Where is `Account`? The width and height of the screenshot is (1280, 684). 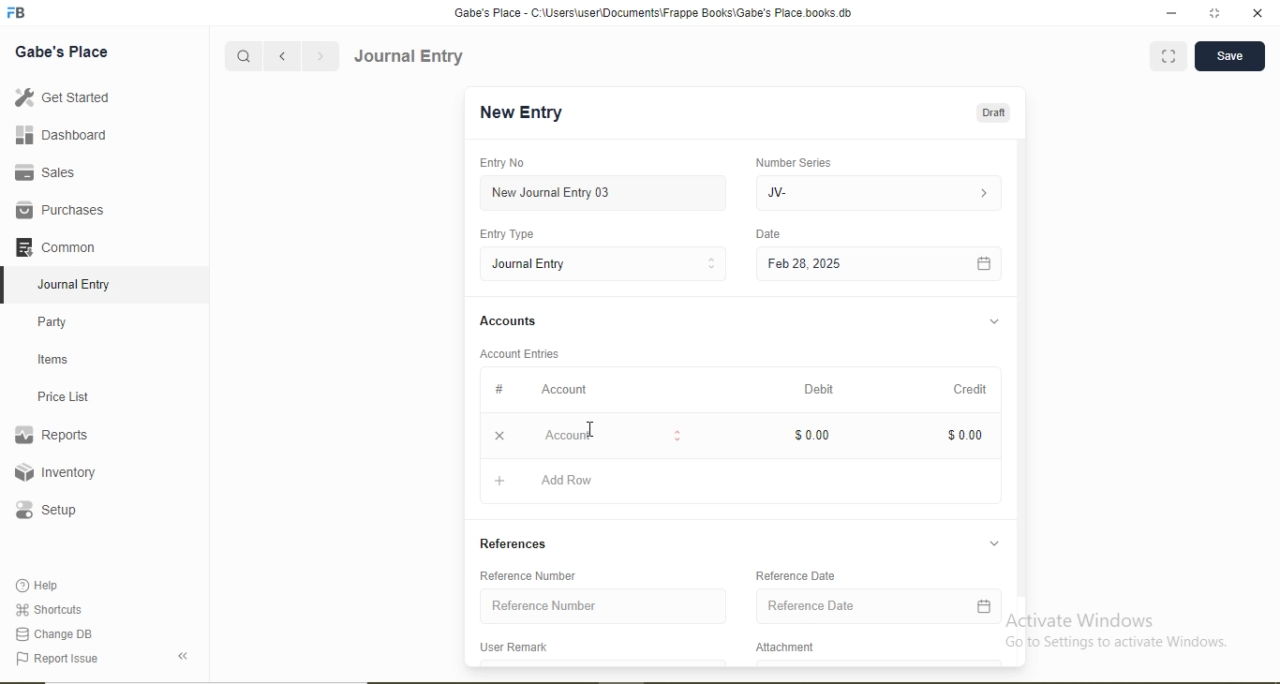
Account is located at coordinates (564, 390).